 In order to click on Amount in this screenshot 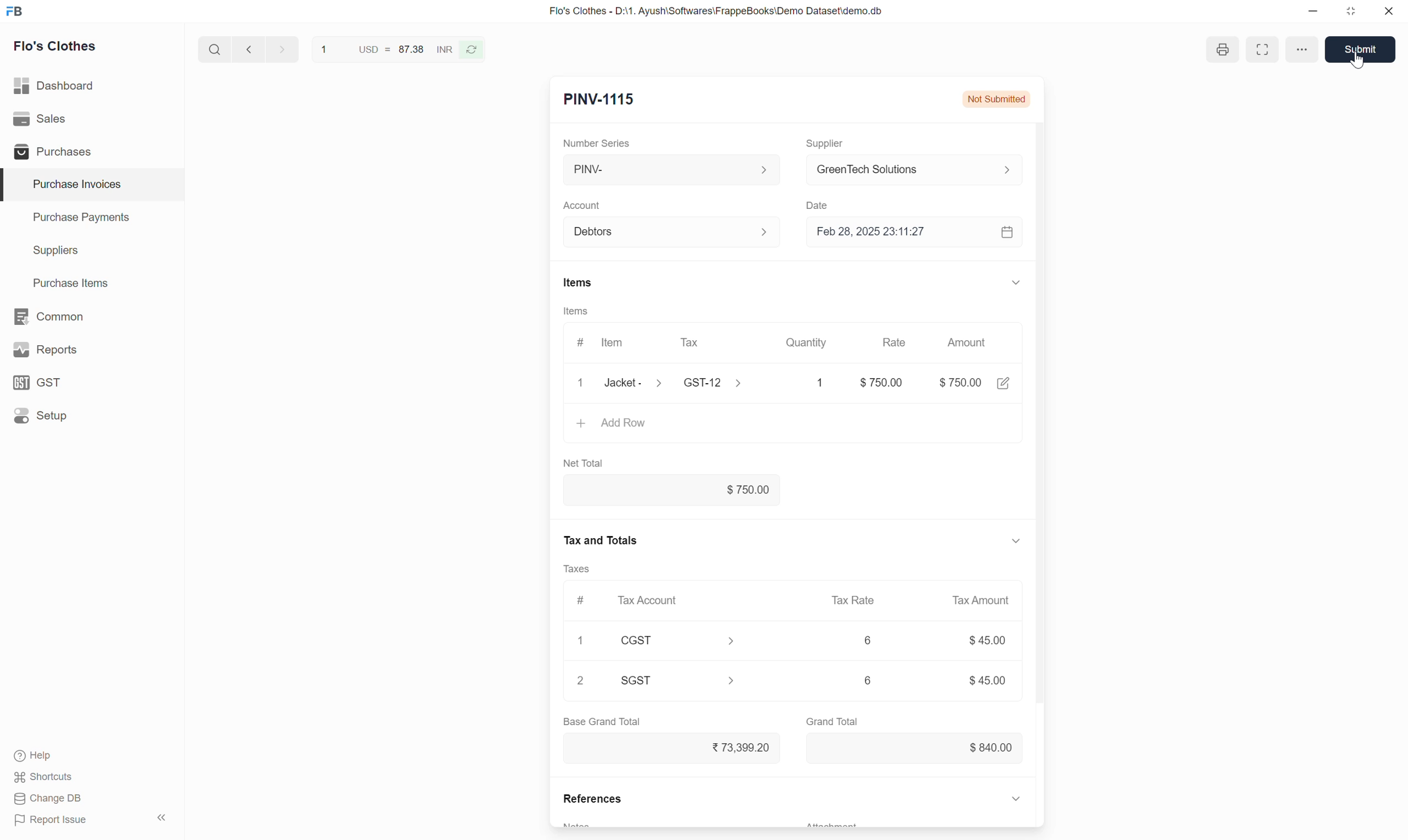, I will do `click(969, 342)`.